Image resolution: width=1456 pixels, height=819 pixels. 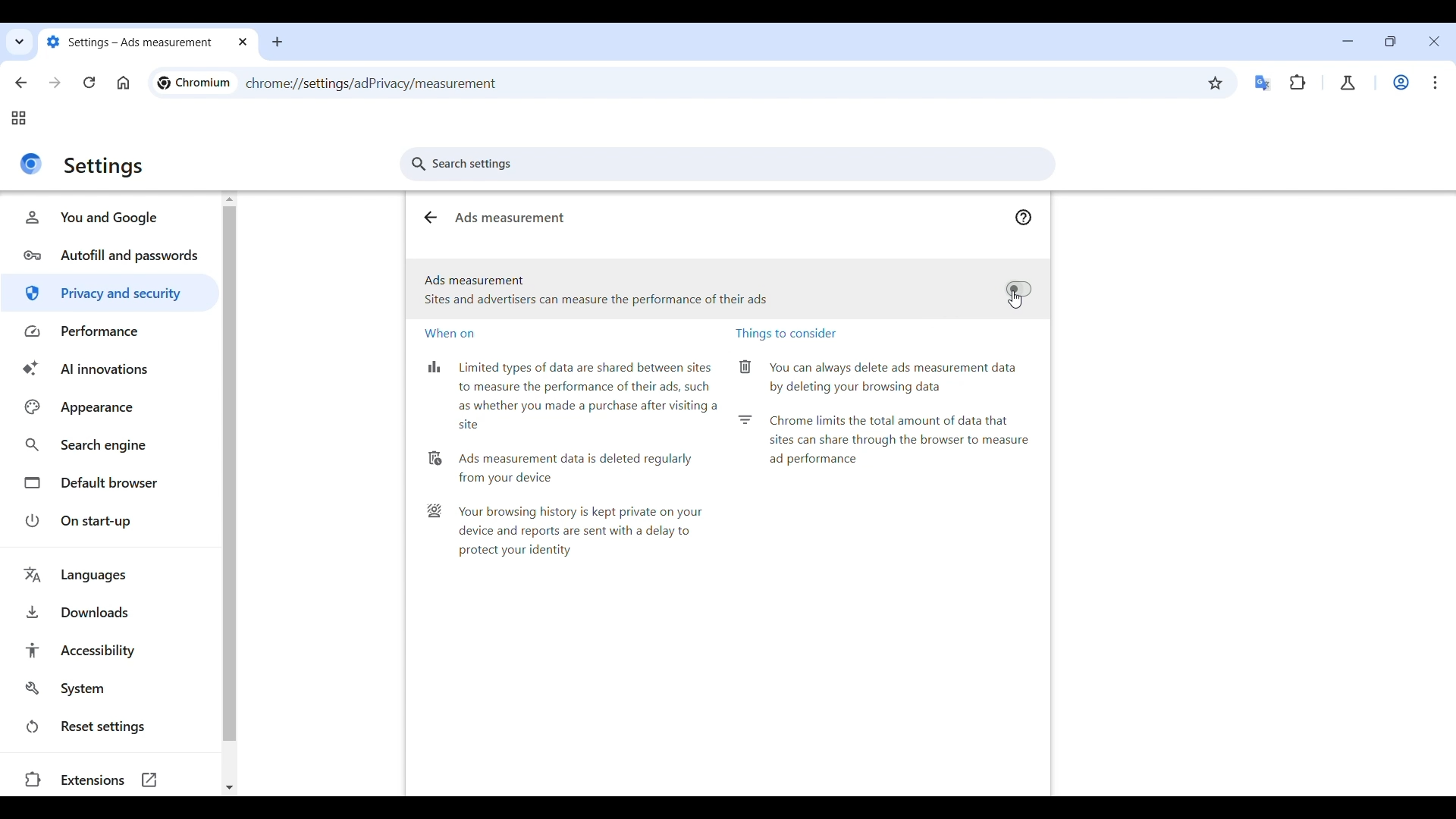 What do you see at coordinates (55, 83) in the screenshot?
I see `Go forward` at bounding box center [55, 83].